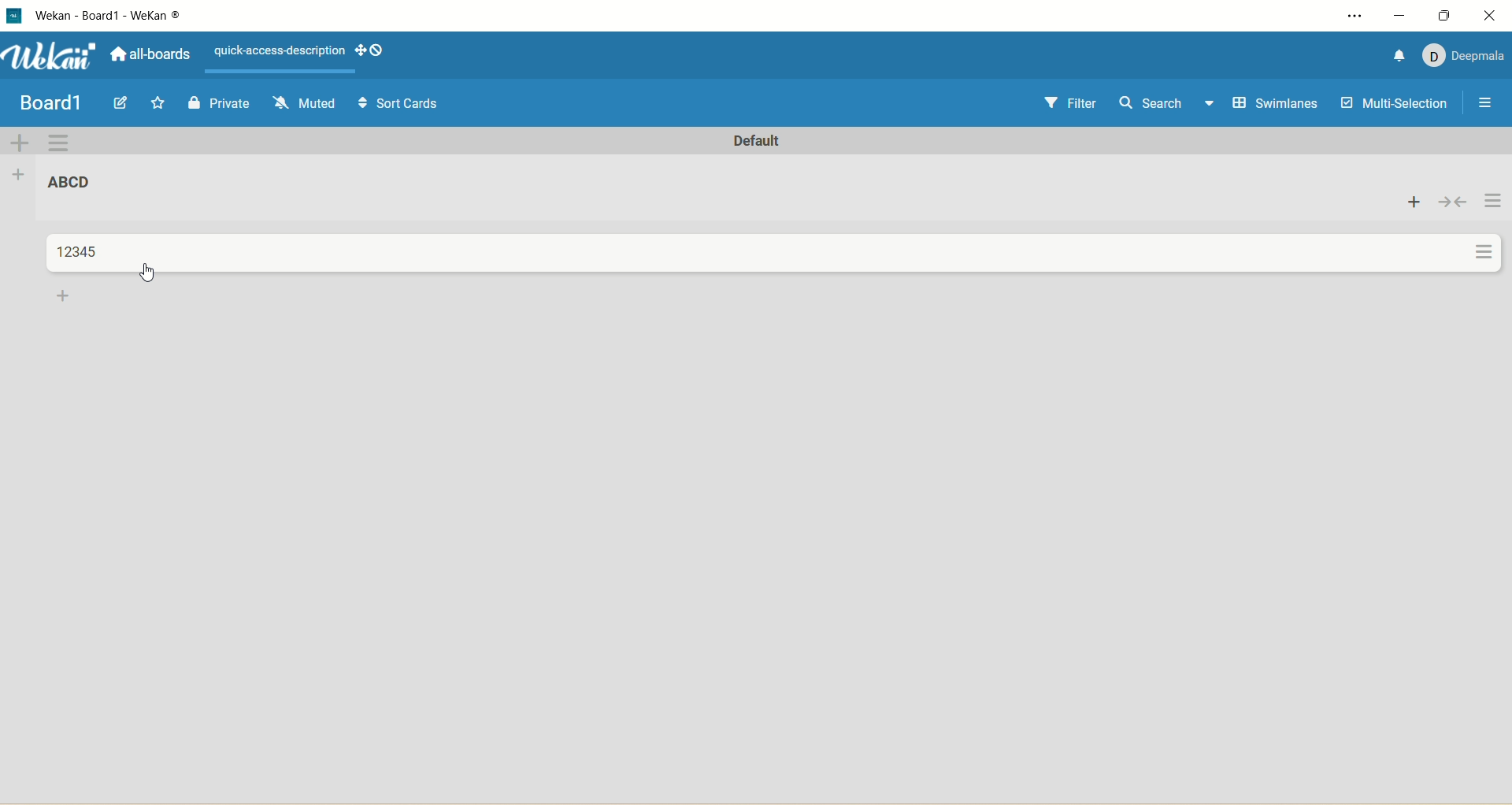  What do you see at coordinates (64, 299) in the screenshot?
I see `add card` at bounding box center [64, 299].